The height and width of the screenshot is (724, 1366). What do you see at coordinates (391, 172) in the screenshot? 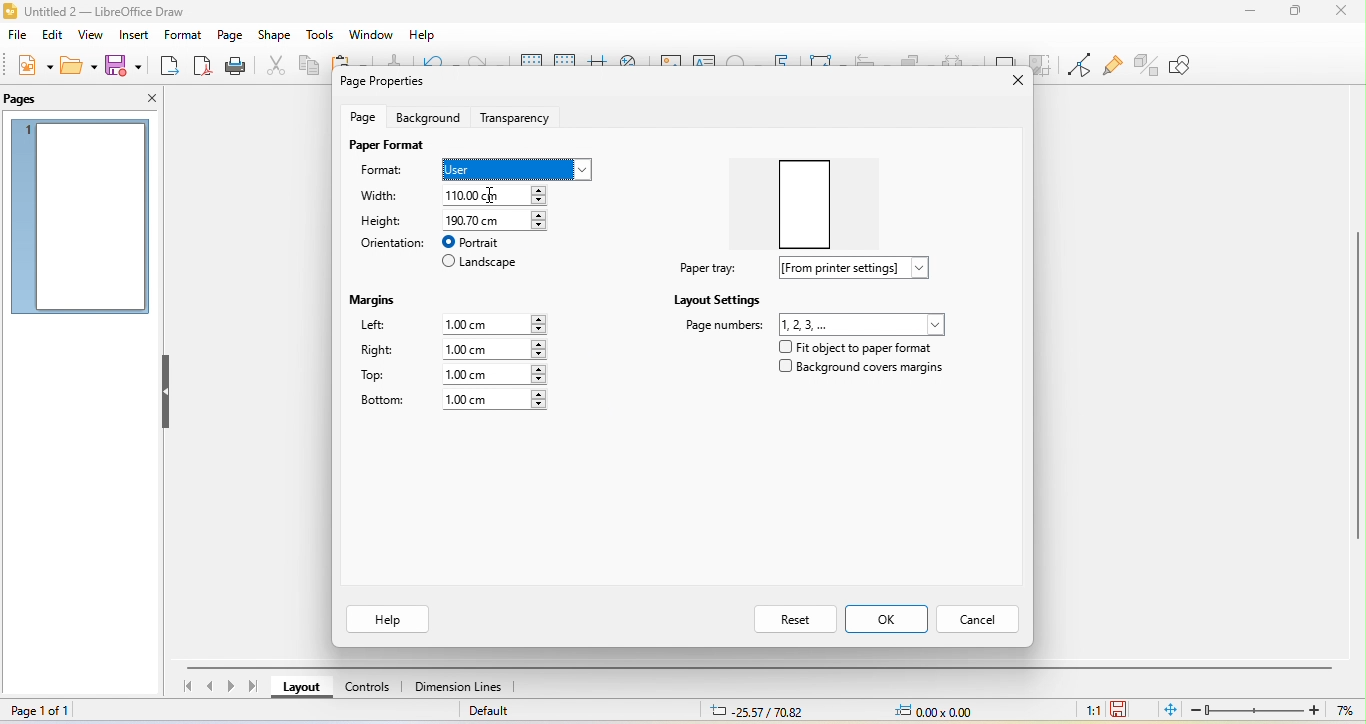
I see `format` at bounding box center [391, 172].